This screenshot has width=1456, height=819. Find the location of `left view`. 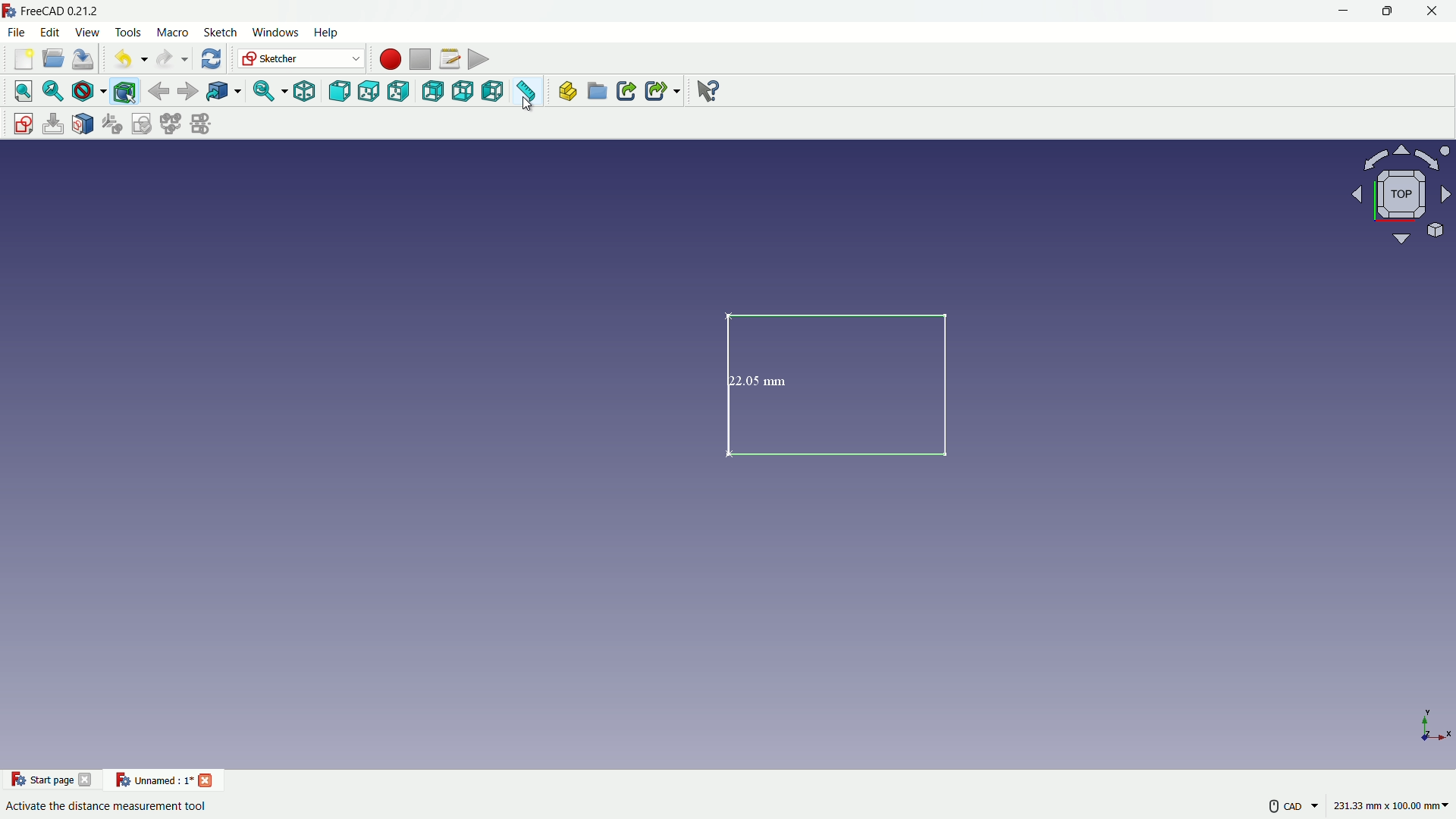

left view is located at coordinates (492, 92).